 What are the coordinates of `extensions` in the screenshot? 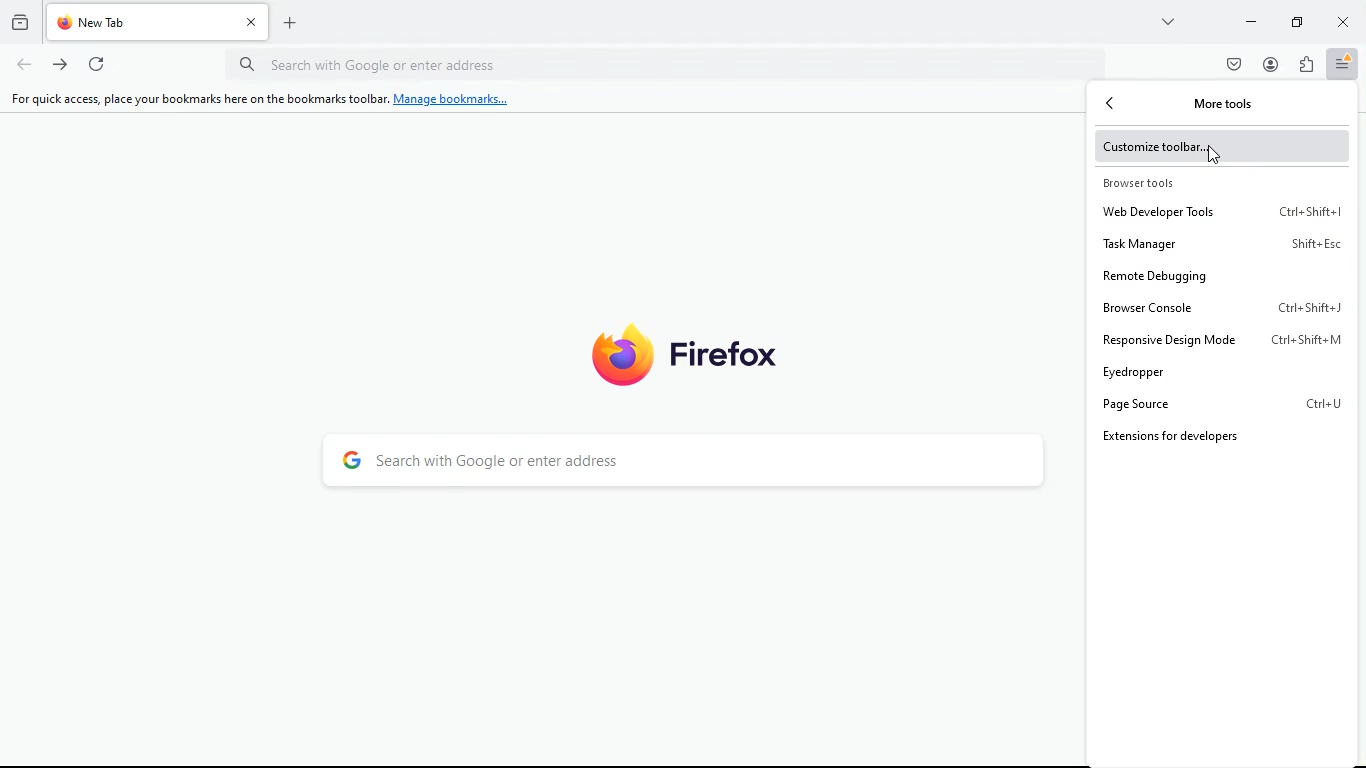 It's located at (1307, 65).